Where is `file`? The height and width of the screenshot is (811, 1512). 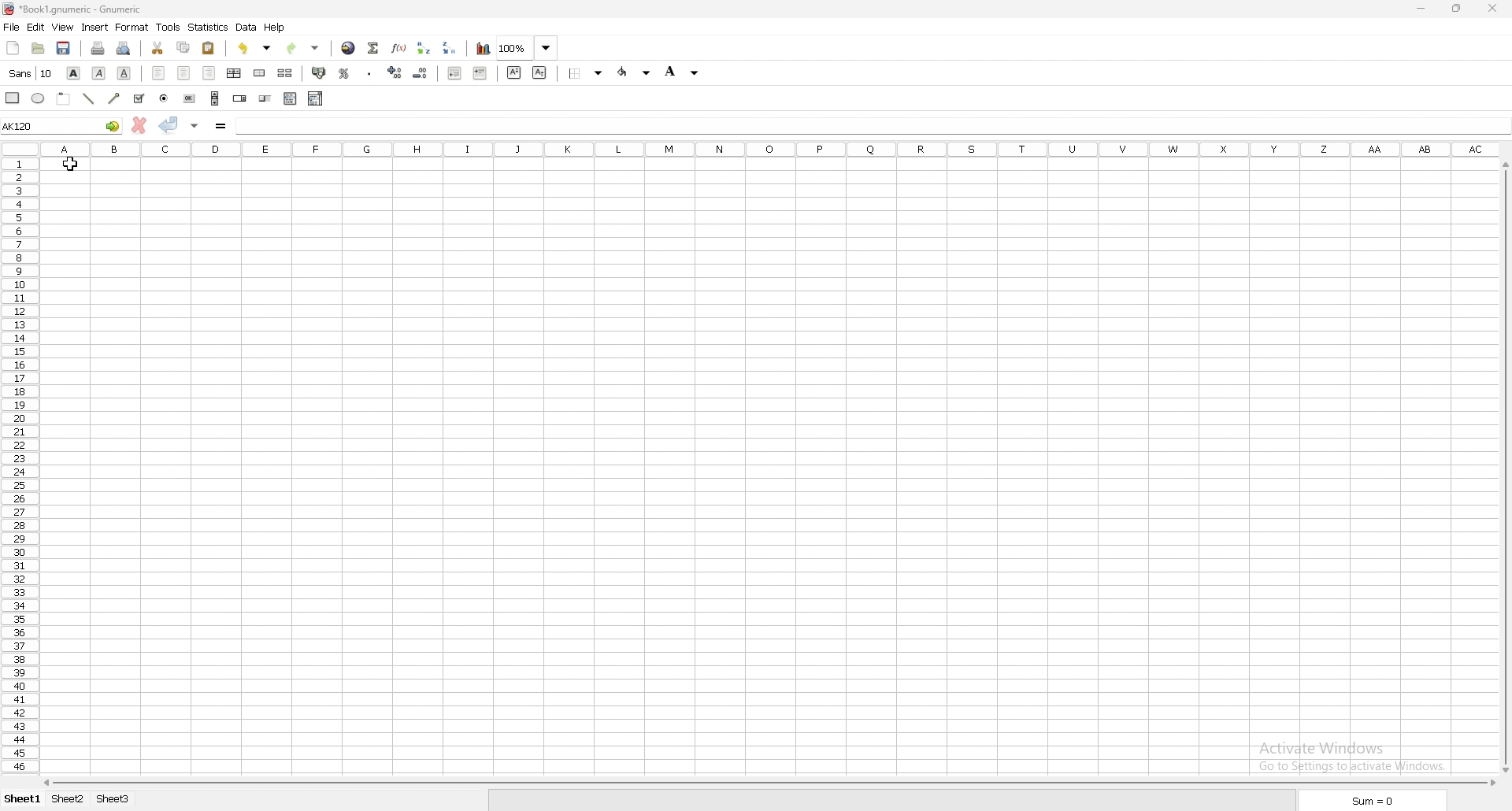
file is located at coordinates (11, 28).